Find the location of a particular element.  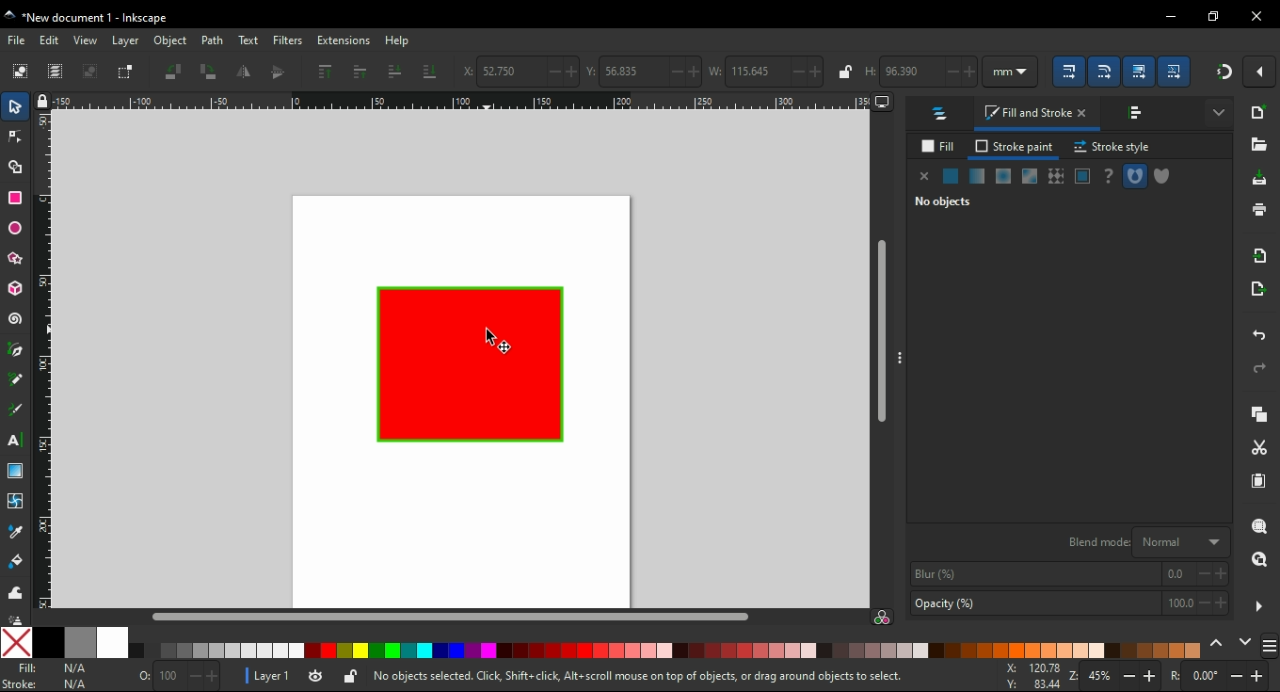

object is located at coordinates (173, 41).